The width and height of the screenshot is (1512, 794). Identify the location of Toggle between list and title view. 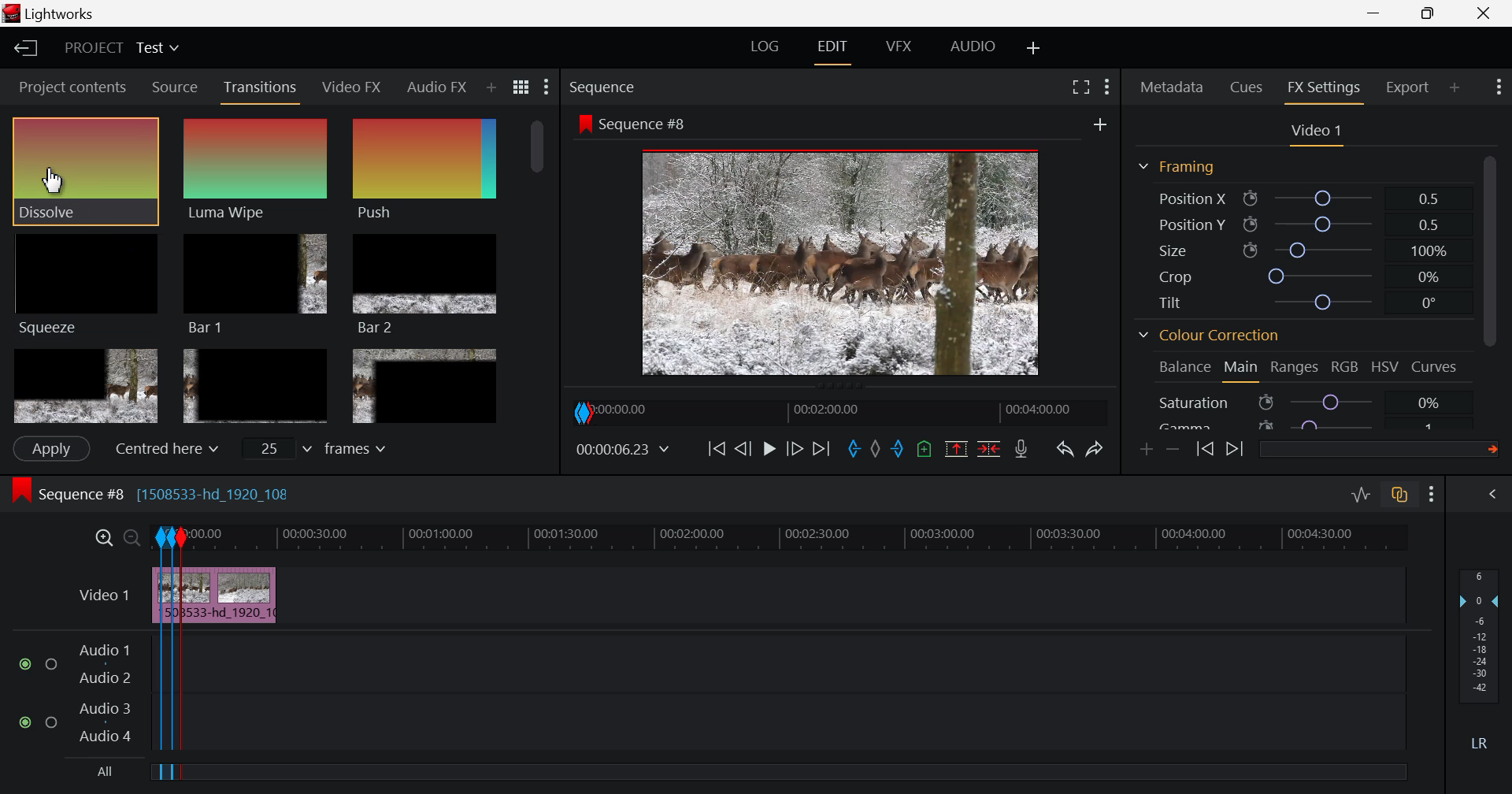
(523, 87).